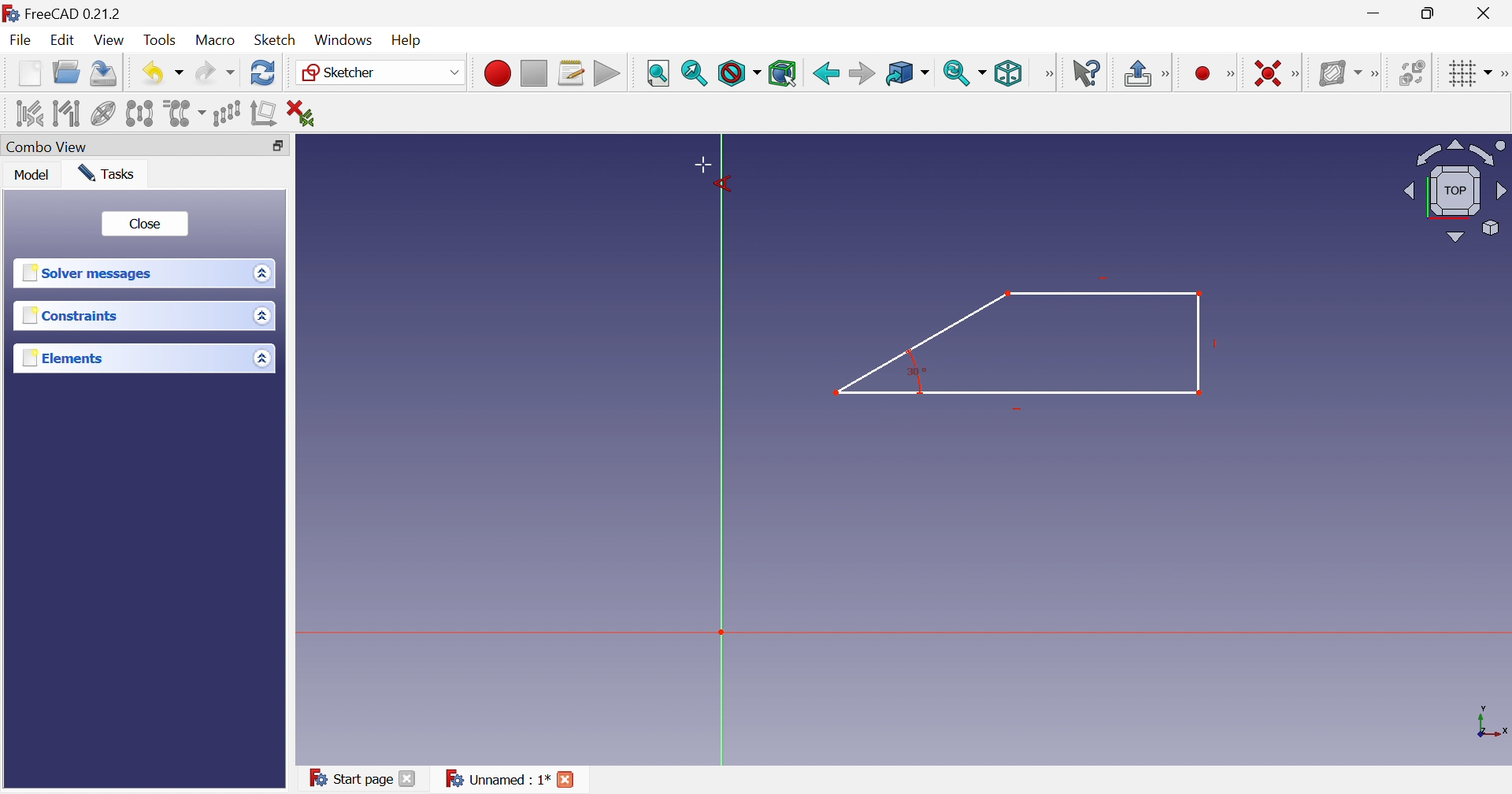 The width and height of the screenshot is (1512, 794). Describe the element at coordinates (150, 72) in the screenshot. I see `Undo` at that location.